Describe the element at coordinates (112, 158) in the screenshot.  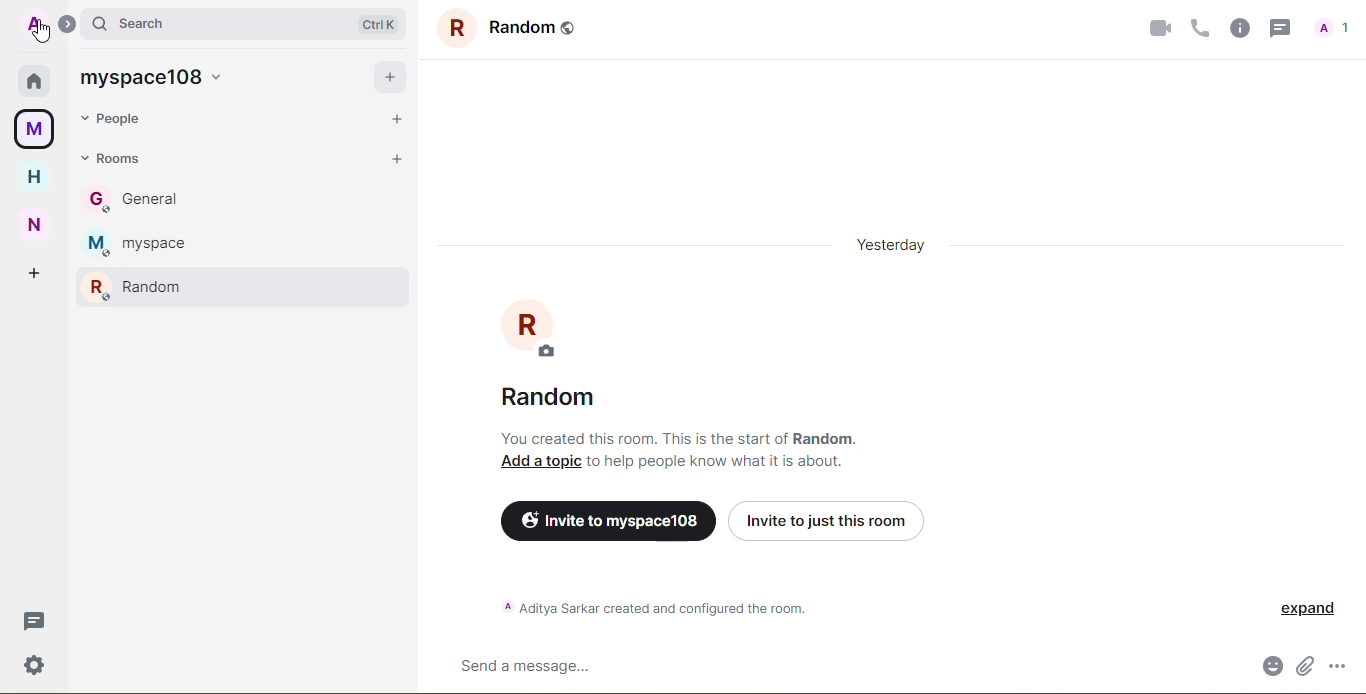
I see `rooms` at that location.